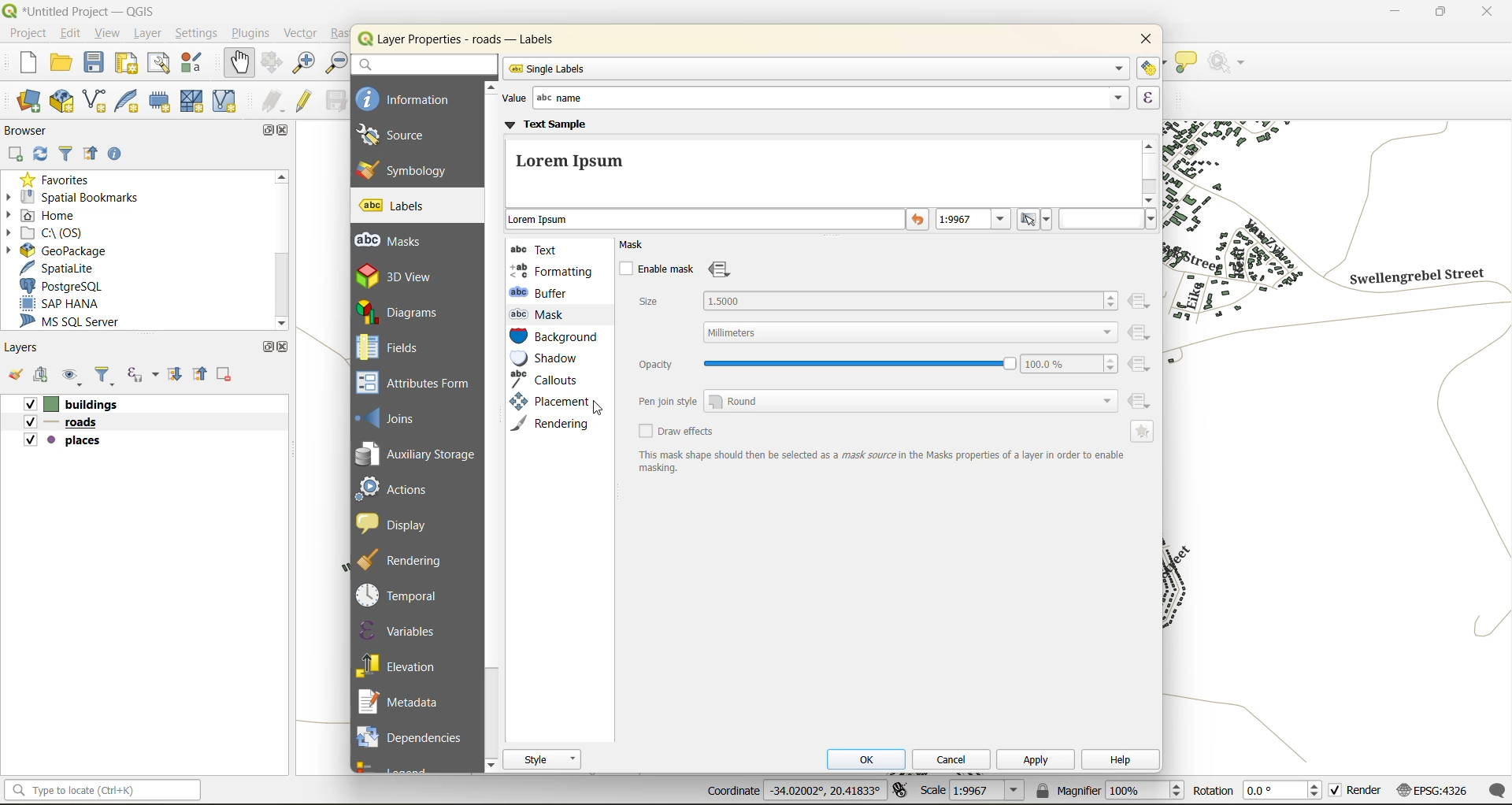 The image size is (1512, 805). I want to click on filter by expression, so click(143, 375).